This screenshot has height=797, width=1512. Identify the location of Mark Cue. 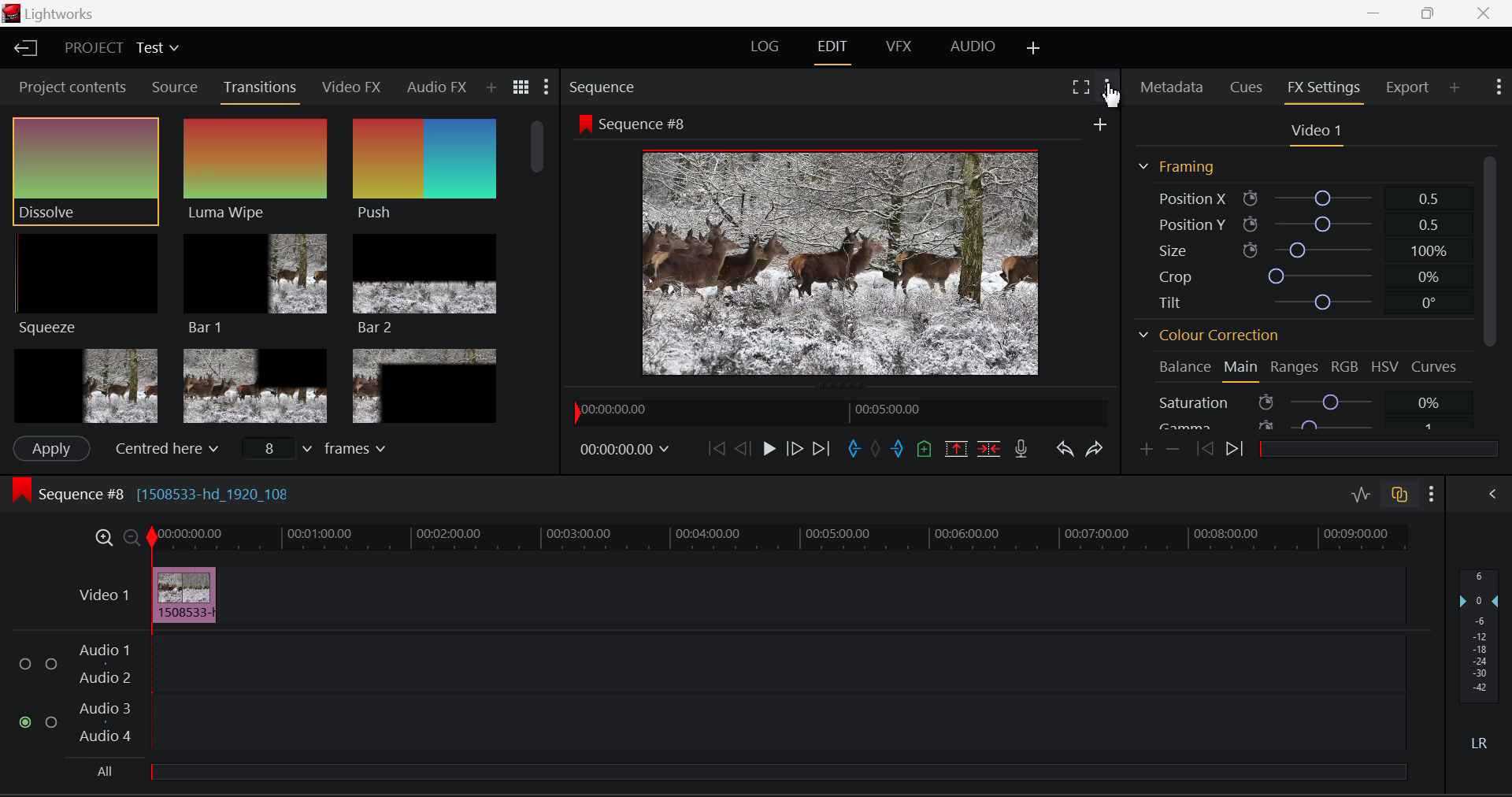
(922, 450).